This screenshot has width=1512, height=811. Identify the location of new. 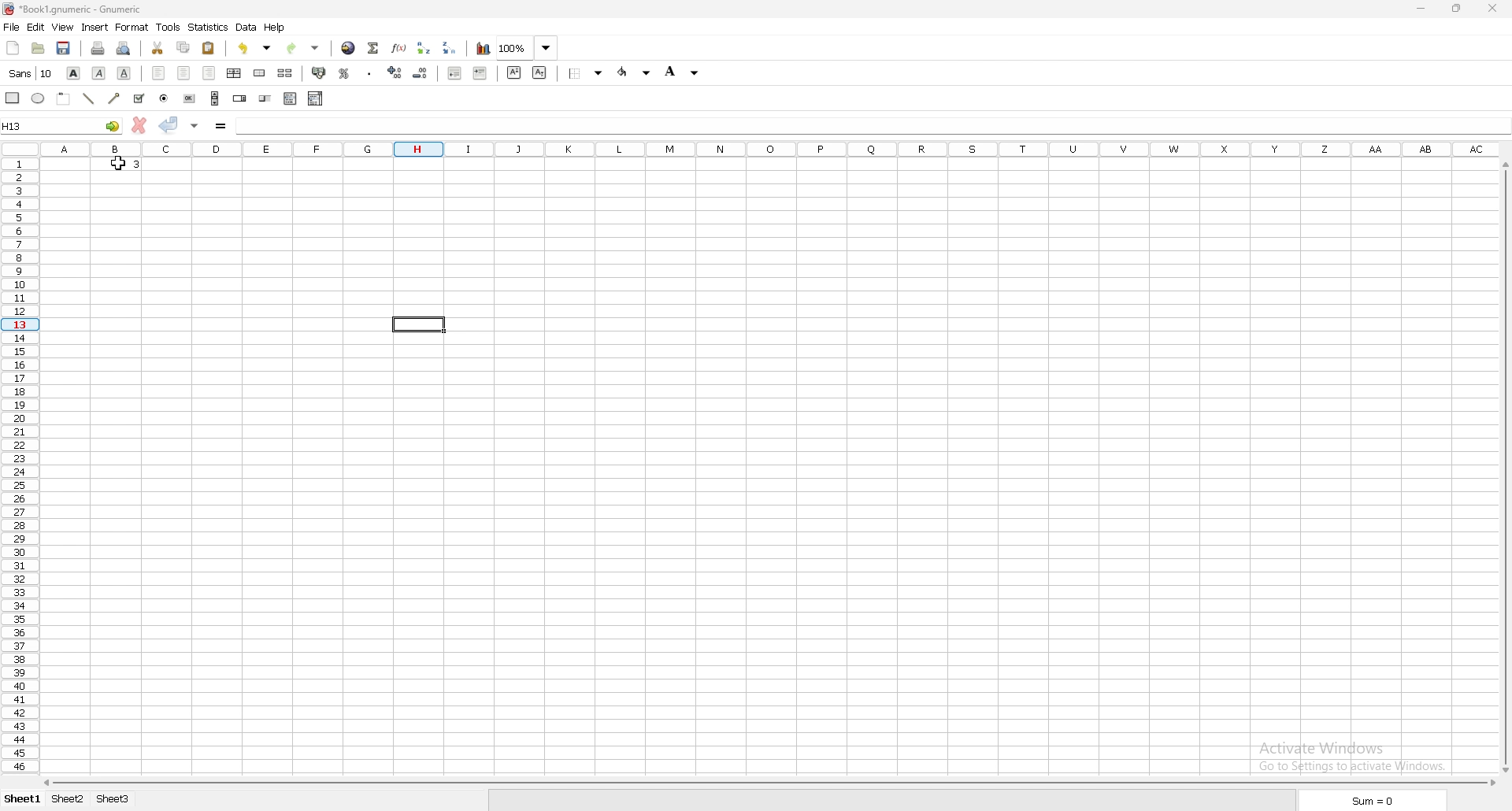
(13, 46).